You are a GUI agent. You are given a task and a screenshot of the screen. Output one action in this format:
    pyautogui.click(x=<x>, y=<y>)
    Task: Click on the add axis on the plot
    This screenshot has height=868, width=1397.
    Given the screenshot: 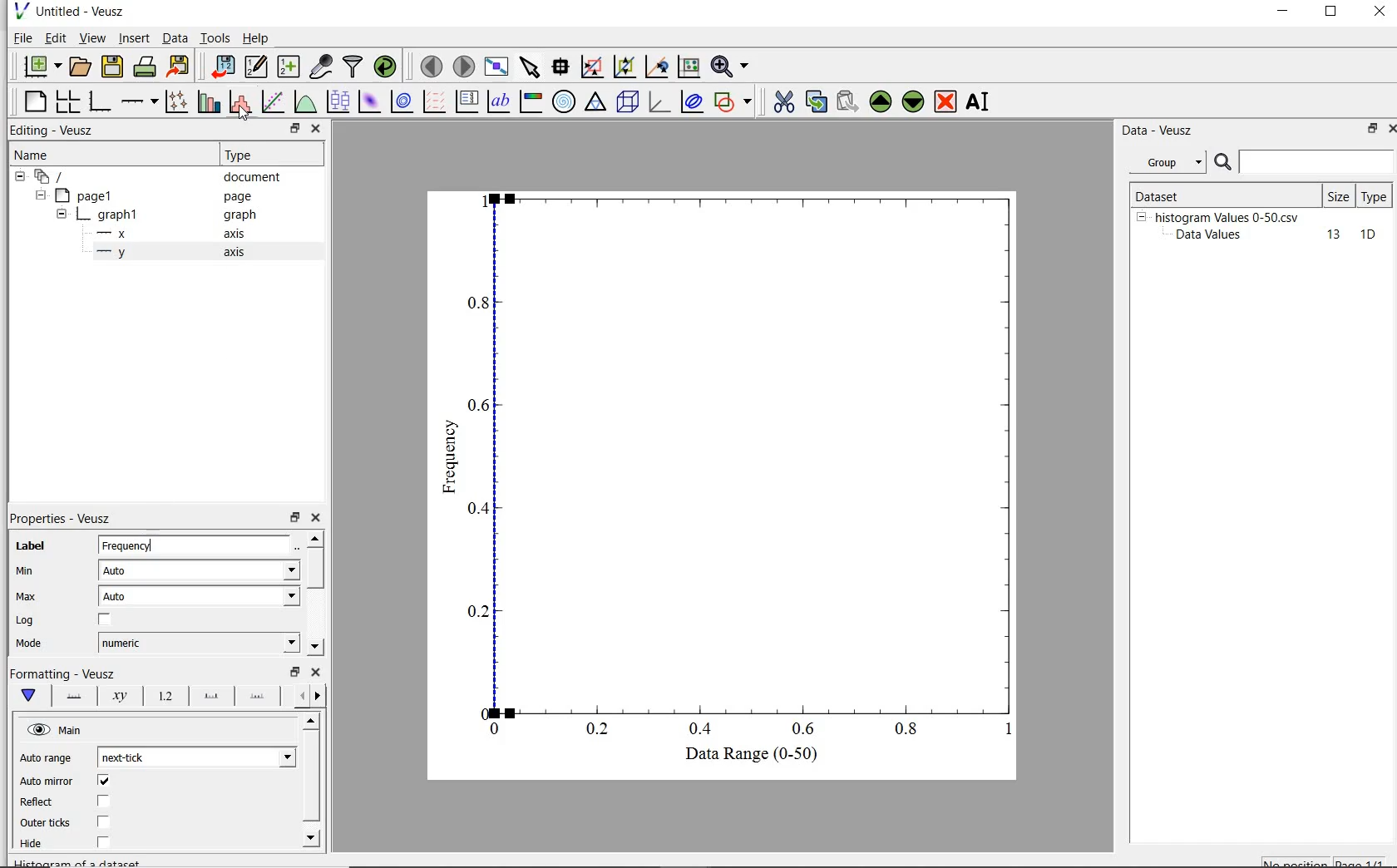 What is the action you would take?
    pyautogui.click(x=139, y=100)
    